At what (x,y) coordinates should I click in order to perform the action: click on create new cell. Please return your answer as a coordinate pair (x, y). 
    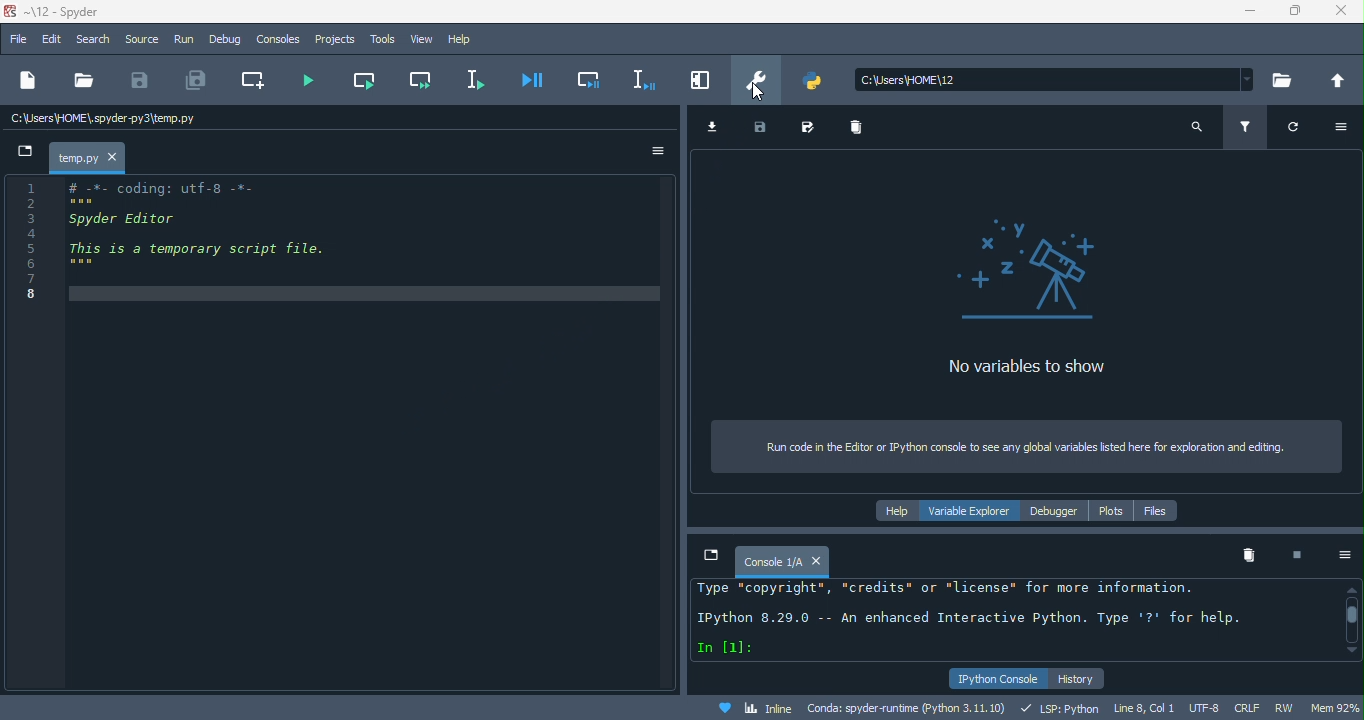
    Looking at the image, I should click on (258, 82).